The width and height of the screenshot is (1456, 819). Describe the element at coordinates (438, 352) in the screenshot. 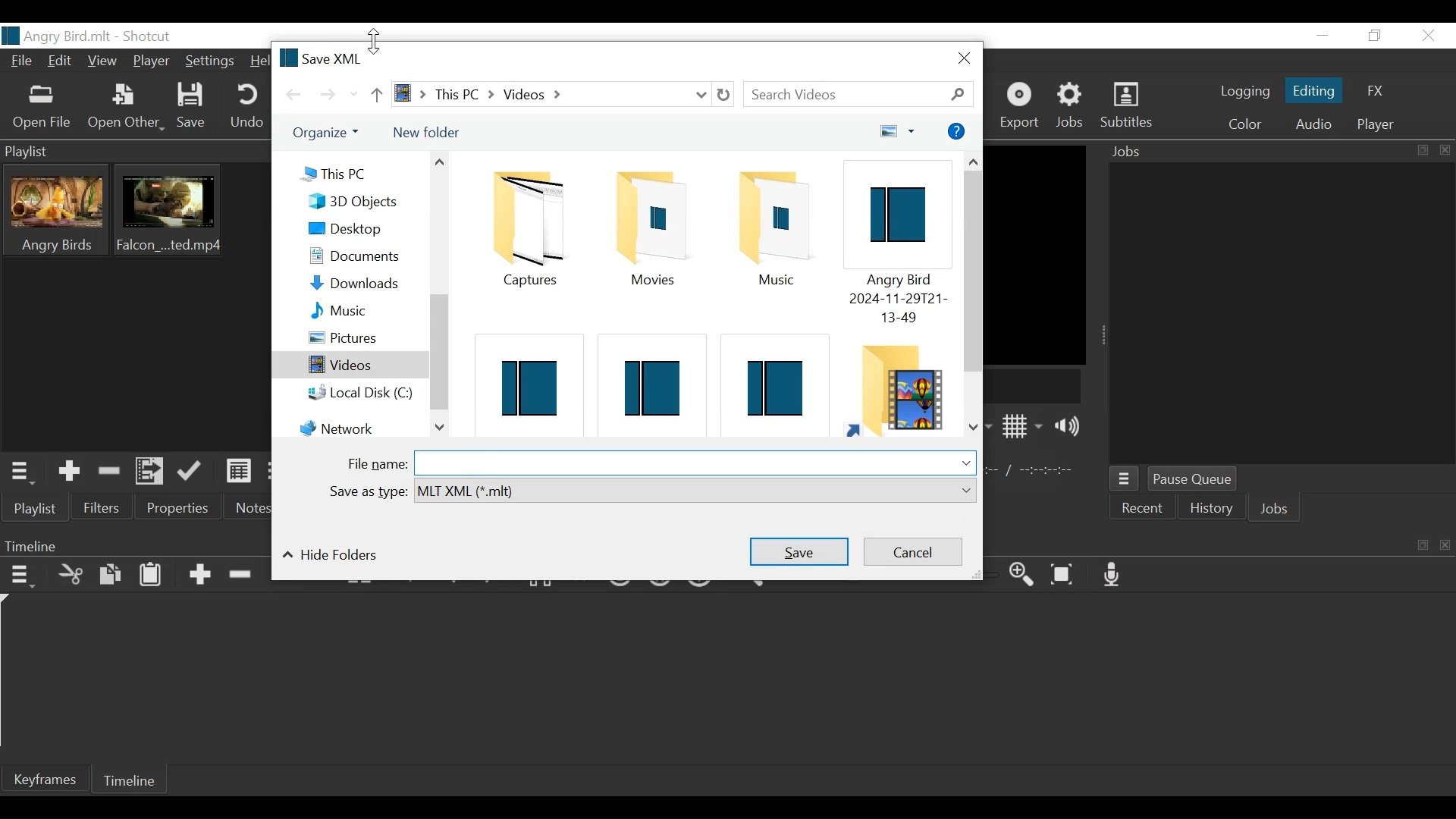

I see `Vertical Scroll bar` at that location.